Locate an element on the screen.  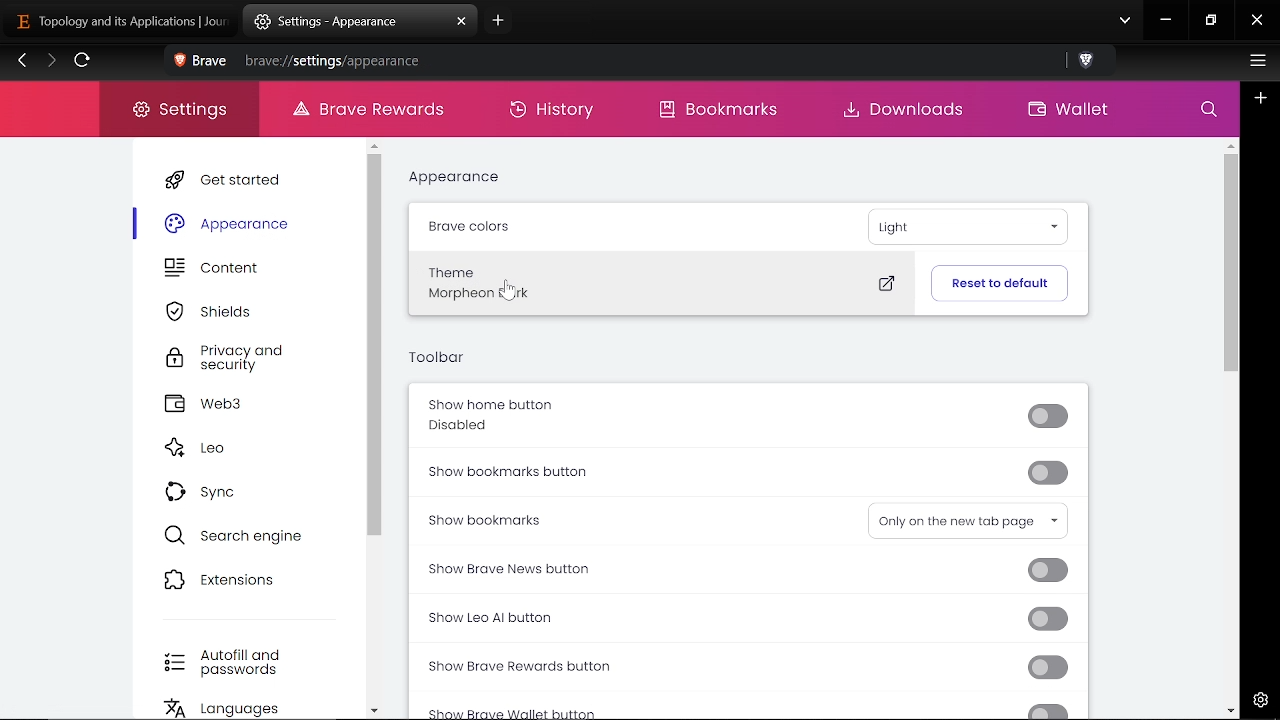
cursor is located at coordinates (513, 294).